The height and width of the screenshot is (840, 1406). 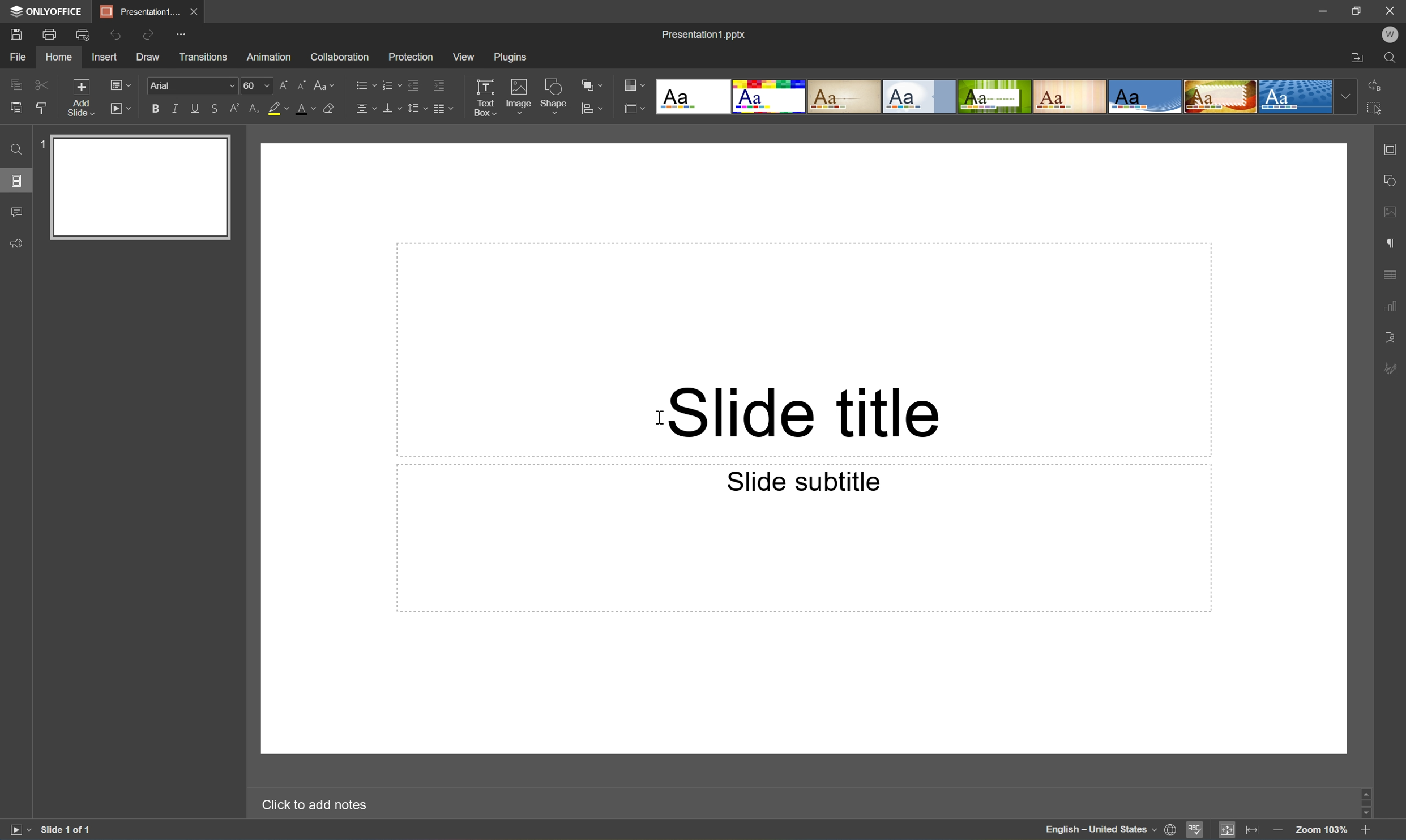 What do you see at coordinates (365, 84) in the screenshot?
I see `Bullets` at bounding box center [365, 84].